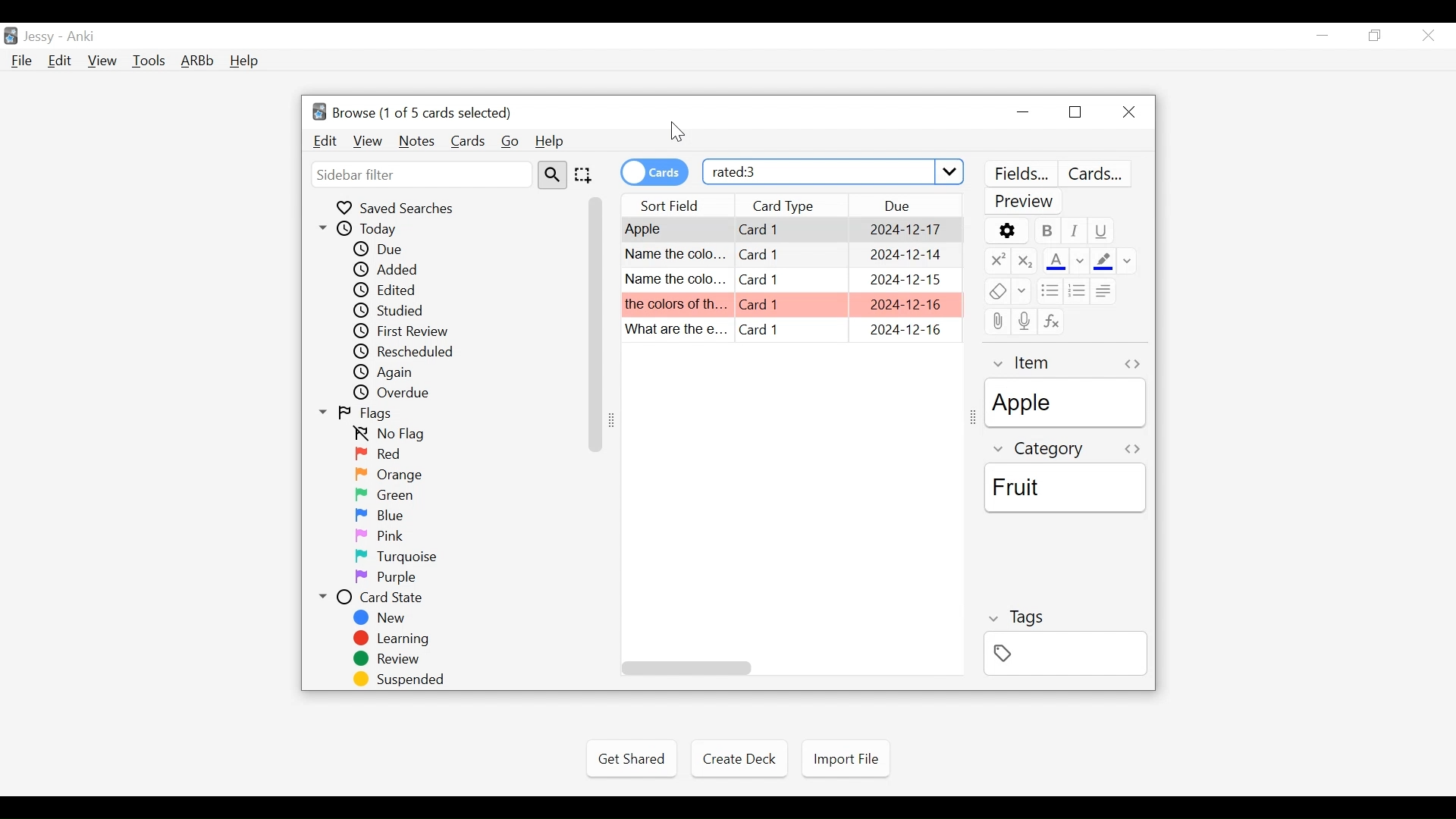 Image resolution: width=1456 pixels, height=819 pixels. Describe the element at coordinates (1134, 365) in the screenshot. I see `Toggle HTML Editor` at that location.